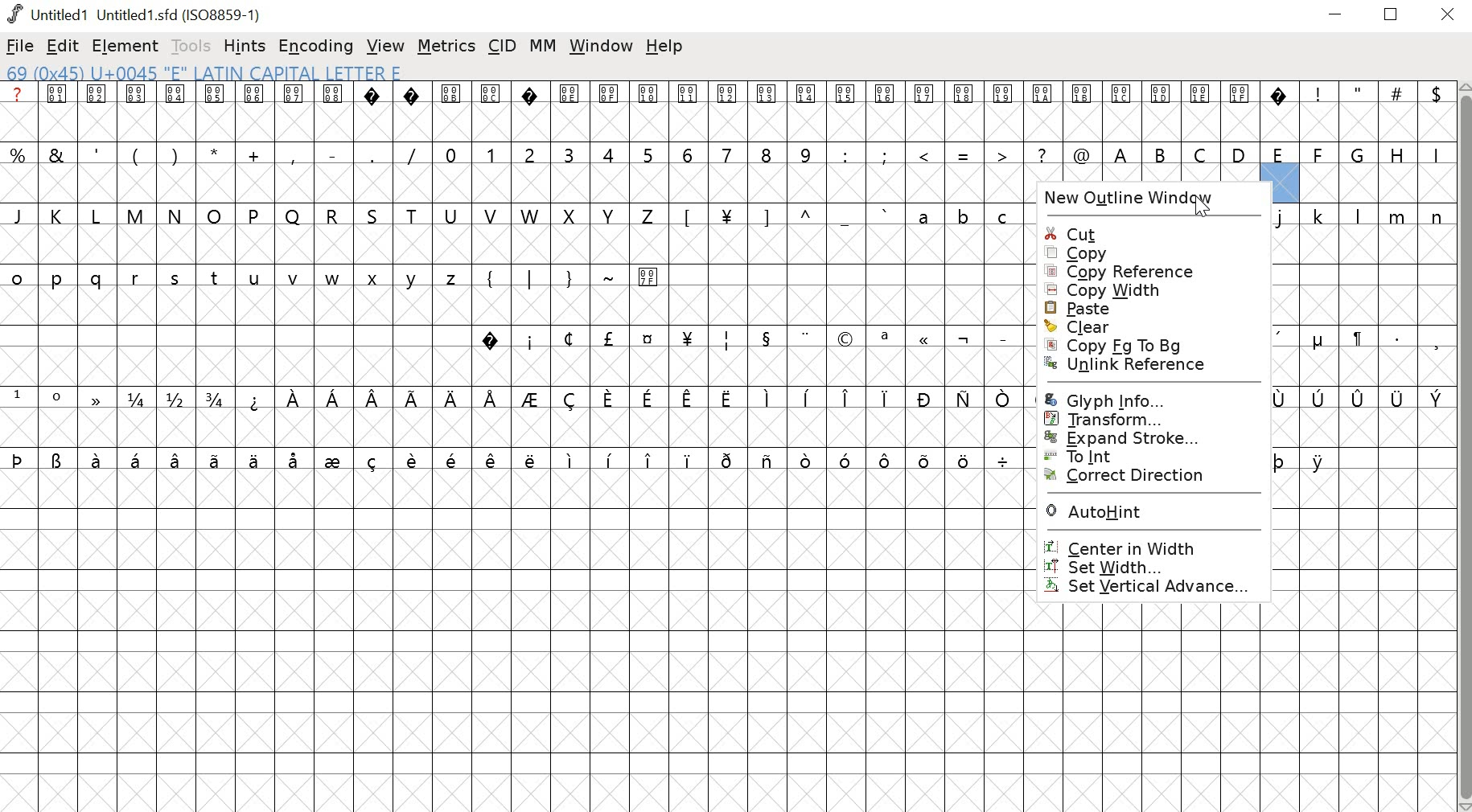 The height and width of the screenshot is (812, 1472). I want to click on lowercase alphabets, so click(235, 278).